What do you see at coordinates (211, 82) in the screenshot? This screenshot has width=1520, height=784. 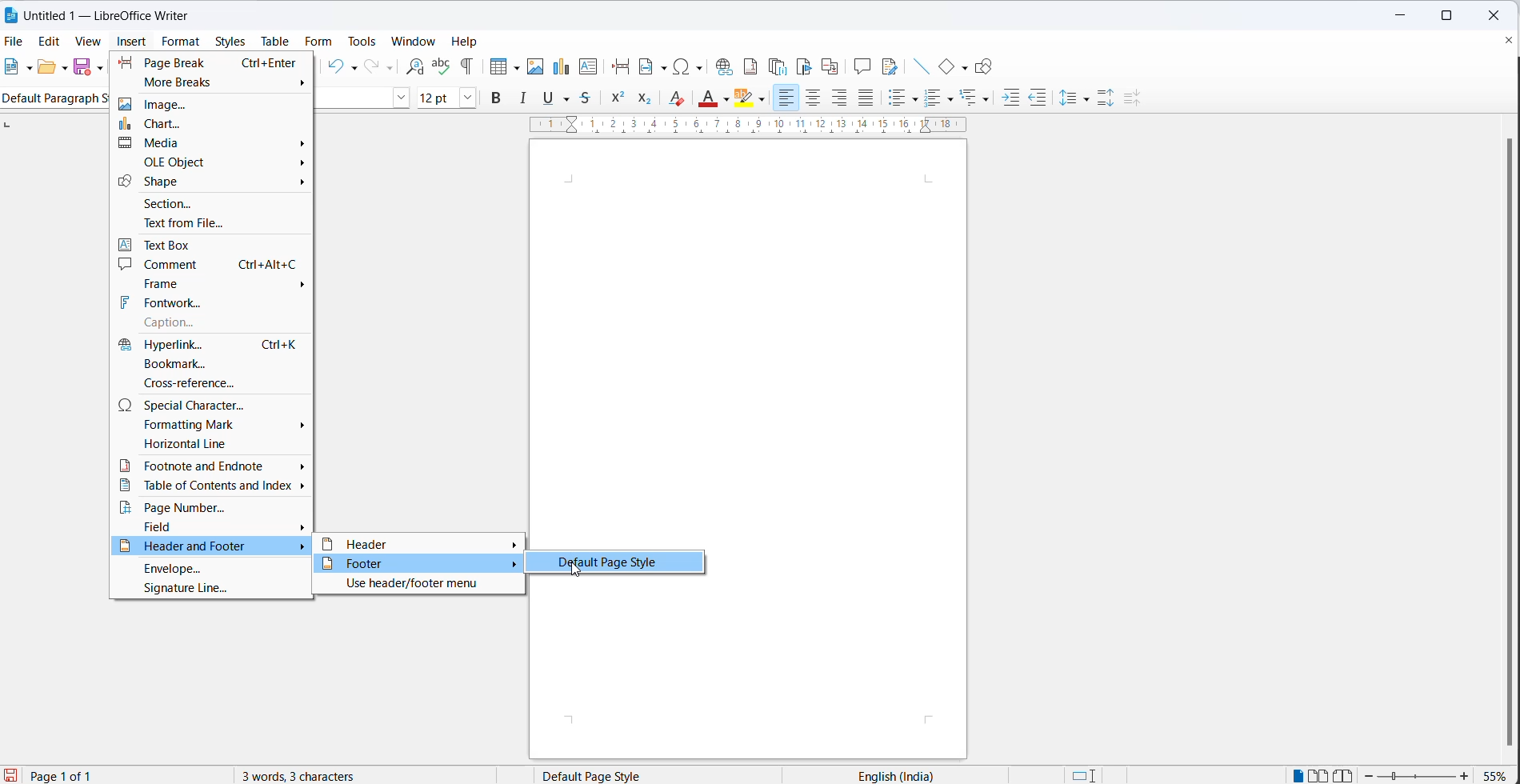 I see `more breaks` at bounding box center [211, 82].